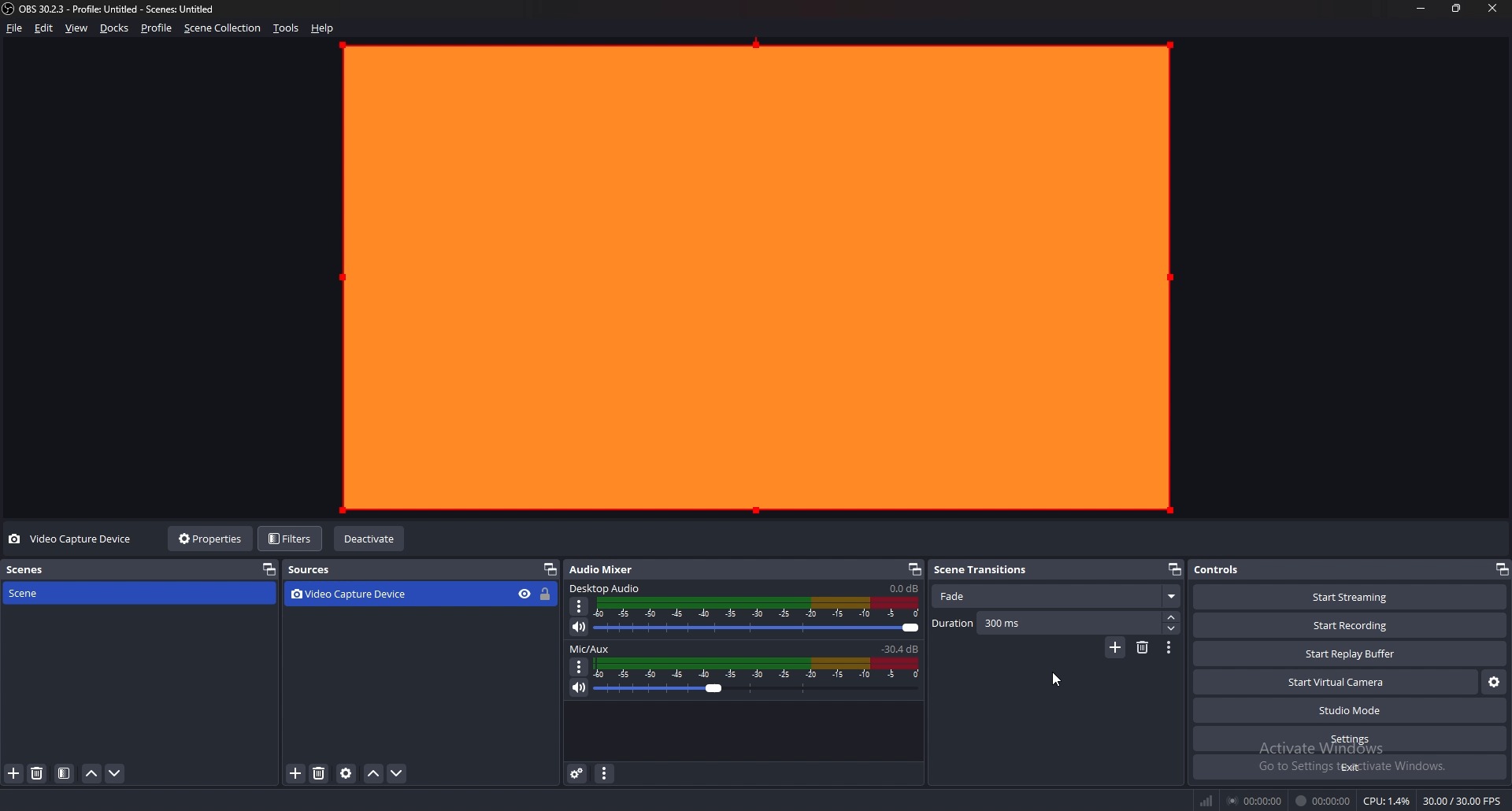  I want to click on remove scene, so click(39, 774).